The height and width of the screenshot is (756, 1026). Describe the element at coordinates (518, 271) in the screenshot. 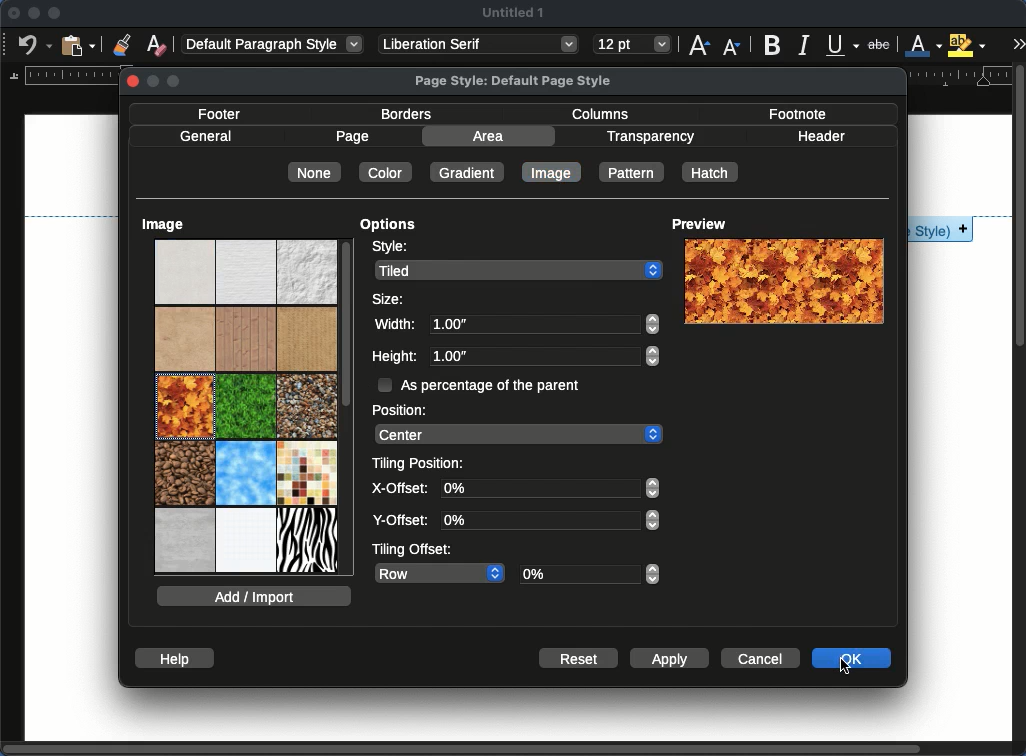

I see `tiled` at that location.